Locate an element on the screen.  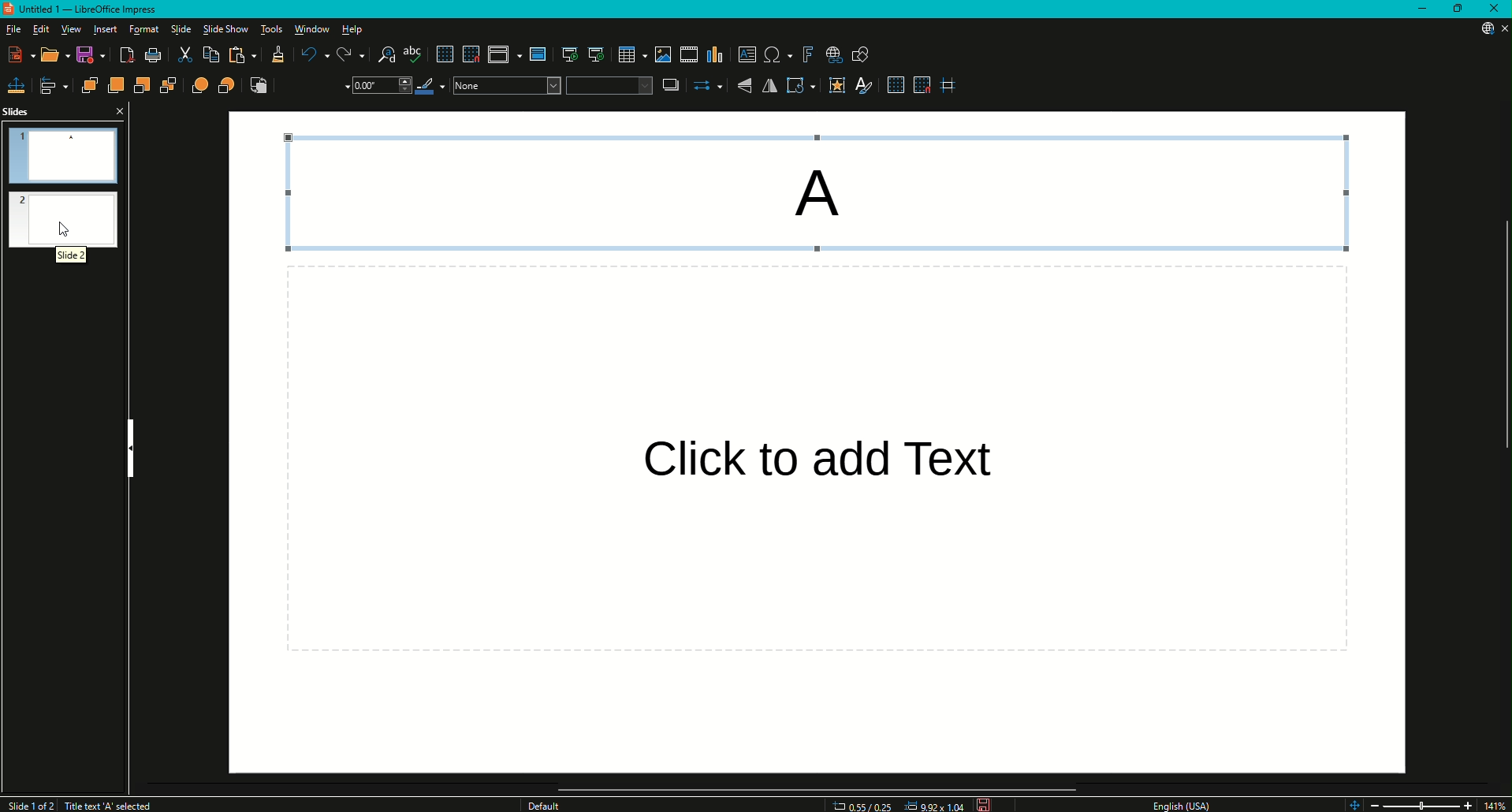
Insert Special Characters is located at coordinates (774, 54).